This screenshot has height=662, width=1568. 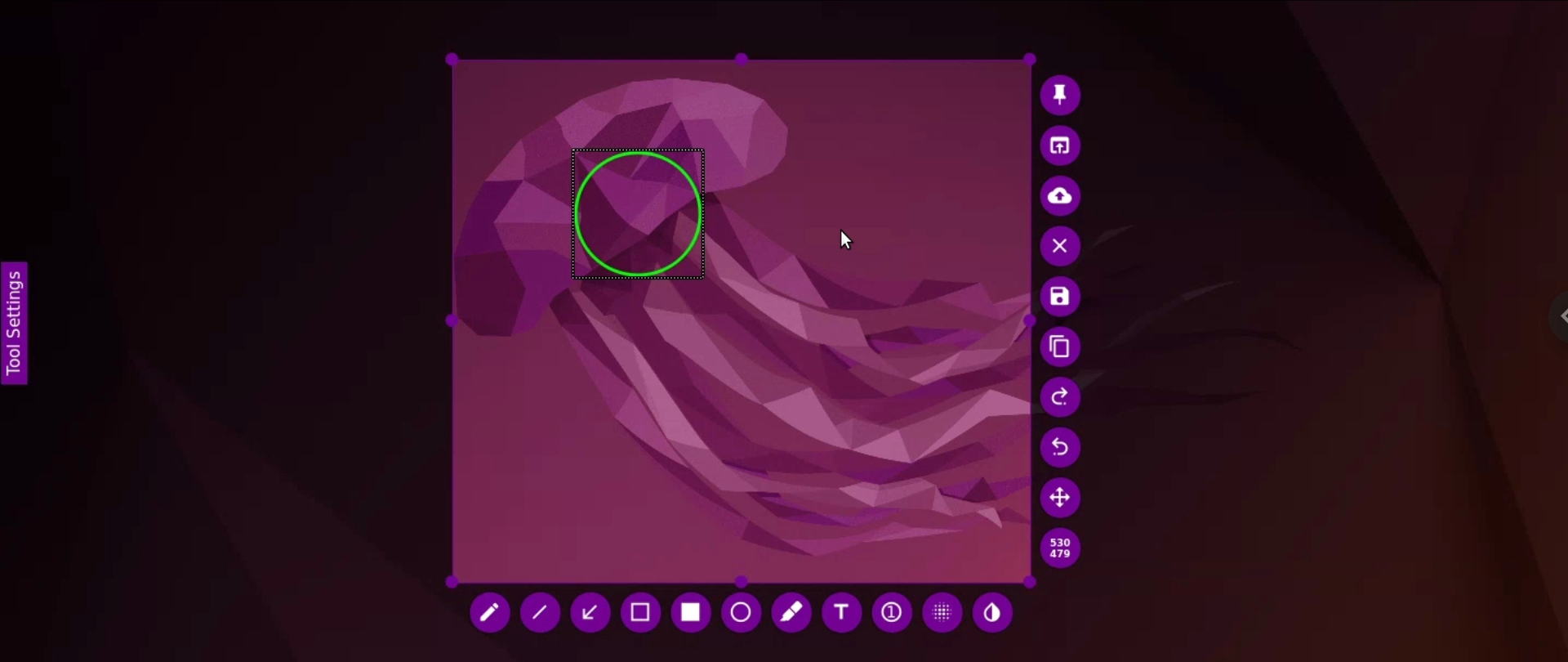 What do you see at coordinates (1063, 499) in the screenshot?
I see `move` at bounding box center [1063, 499].